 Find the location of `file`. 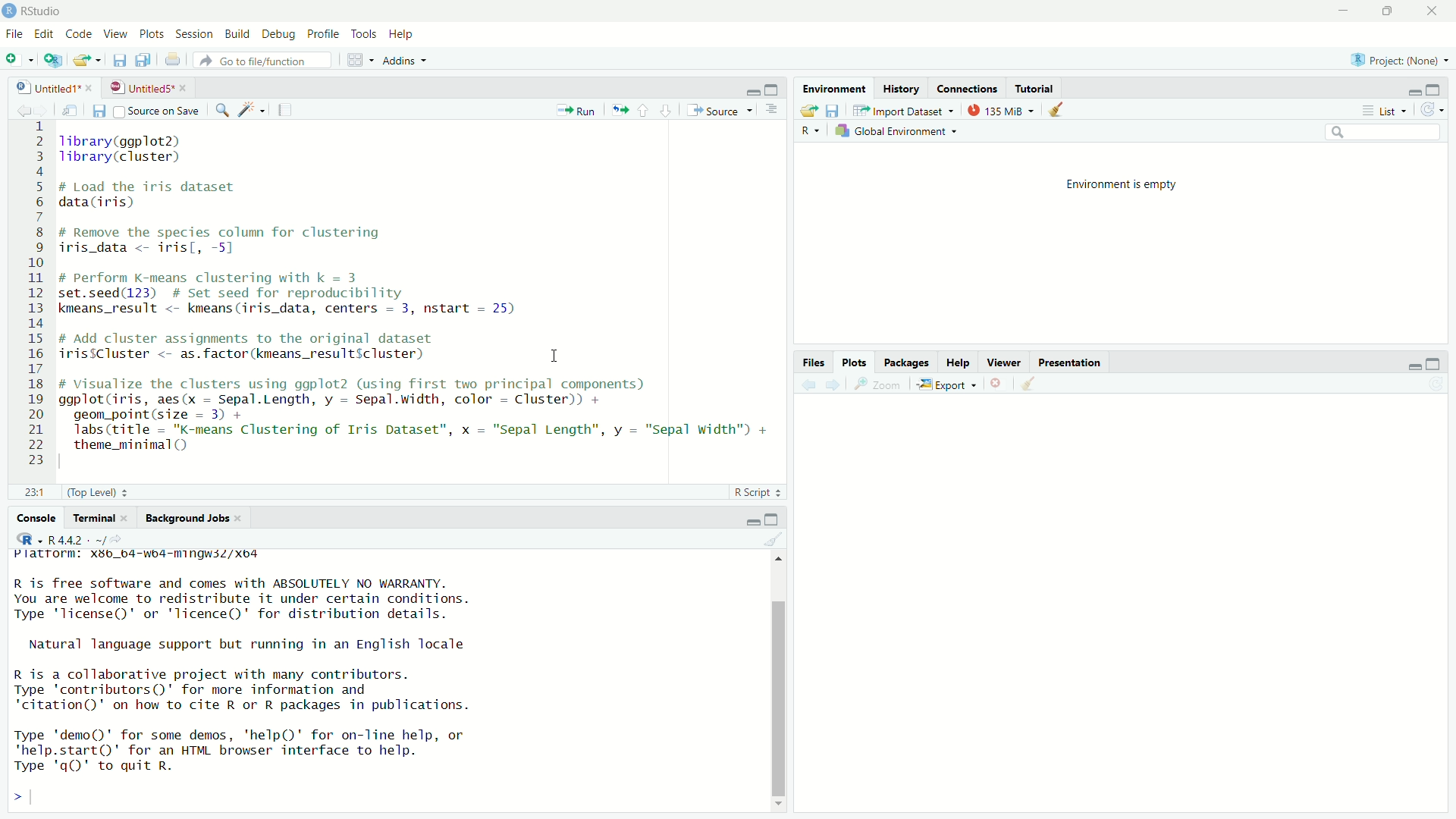

file is located at coordinates (14, 33).